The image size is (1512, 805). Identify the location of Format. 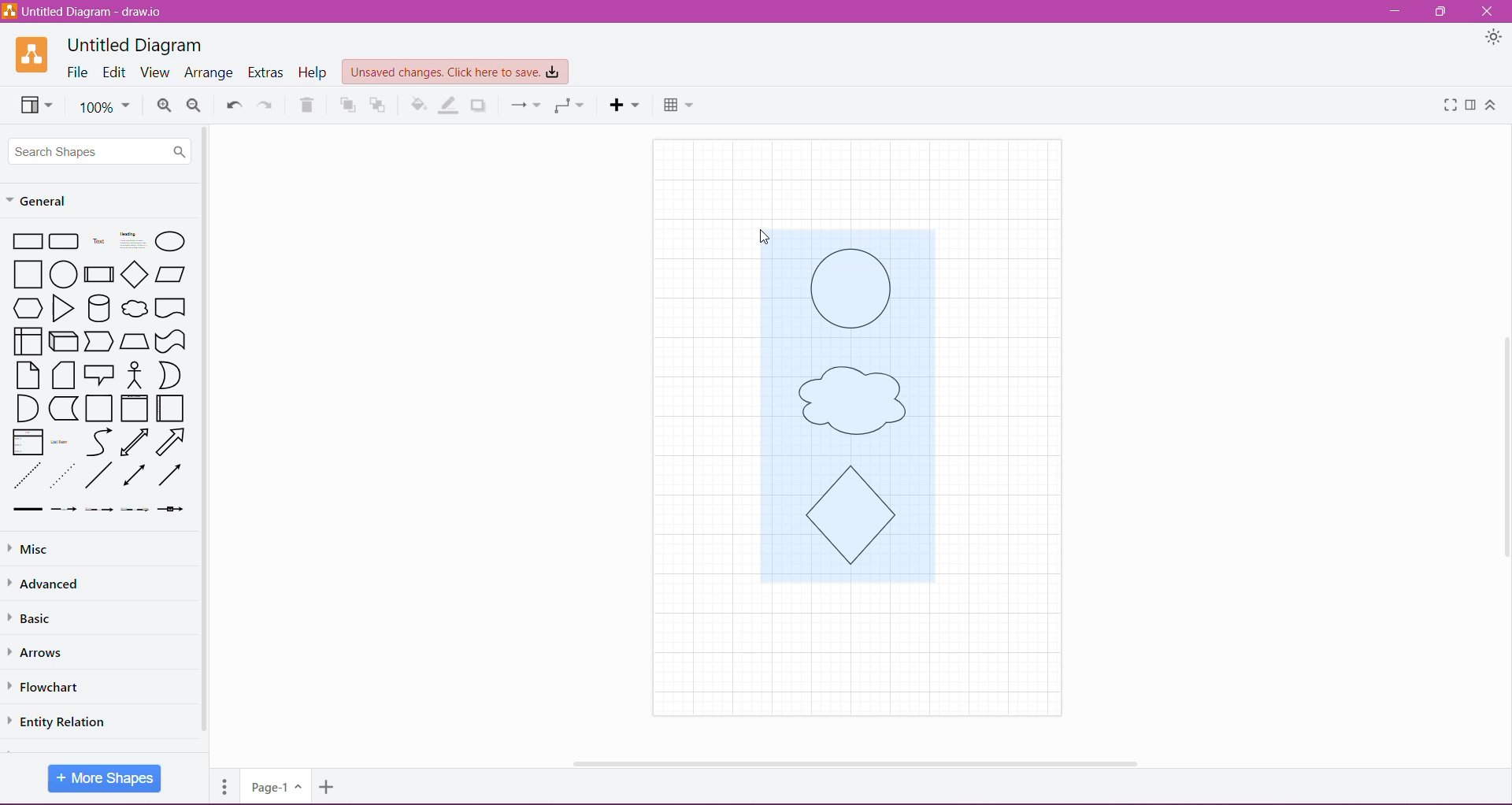
(1471, 105).